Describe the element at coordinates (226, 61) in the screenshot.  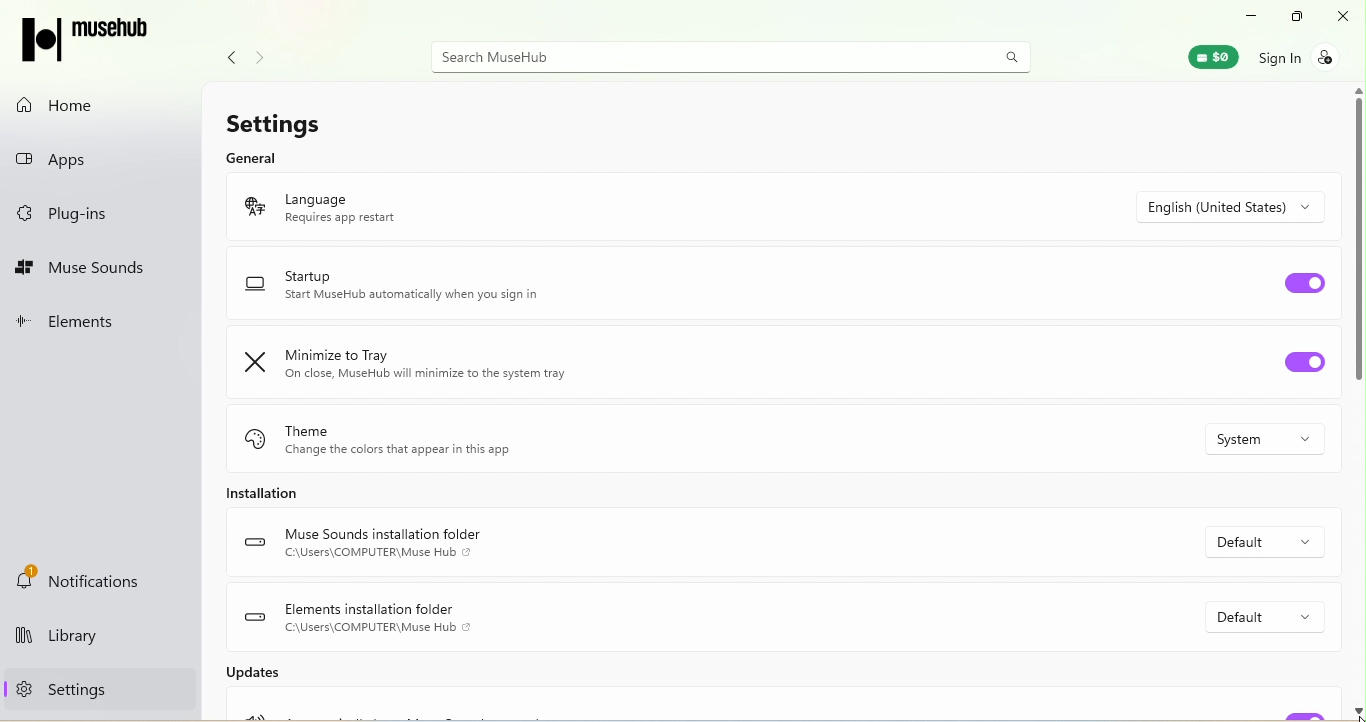
I see `Navigate back` at that location.